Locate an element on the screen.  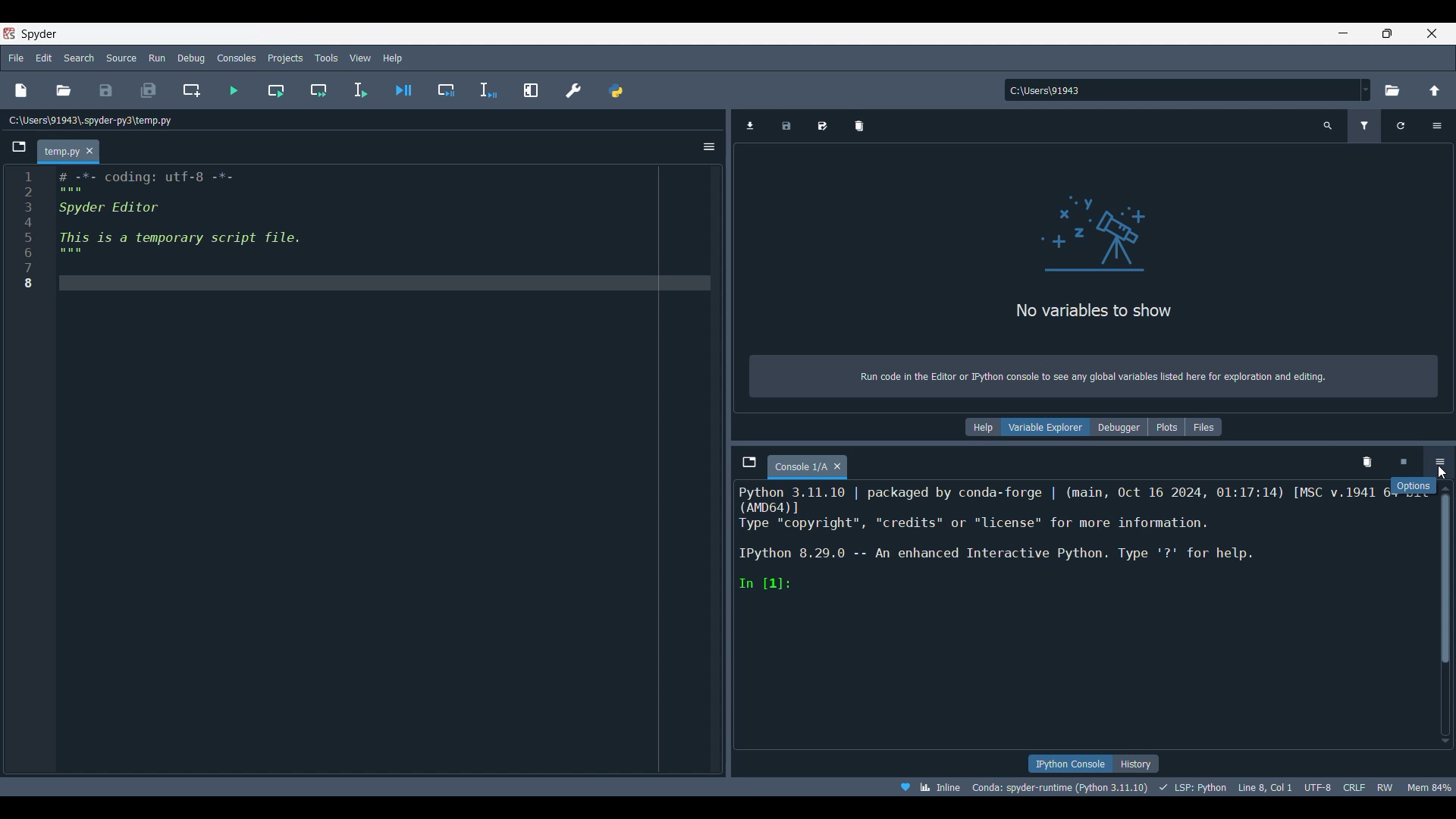
Source menu is located at coordinates (121, 58).